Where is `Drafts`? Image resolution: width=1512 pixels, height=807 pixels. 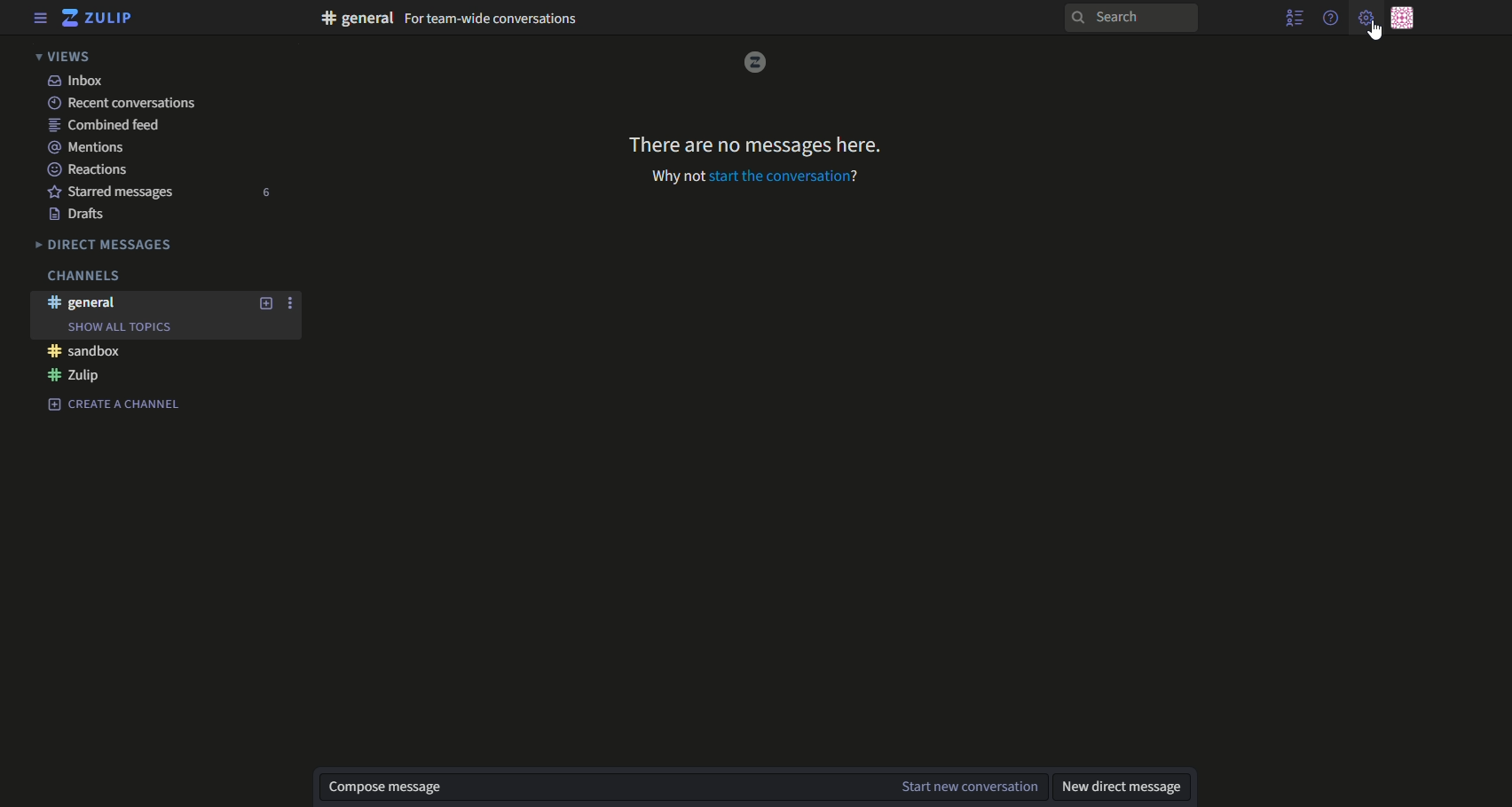
Drafts is located at coordinates (81, 215).